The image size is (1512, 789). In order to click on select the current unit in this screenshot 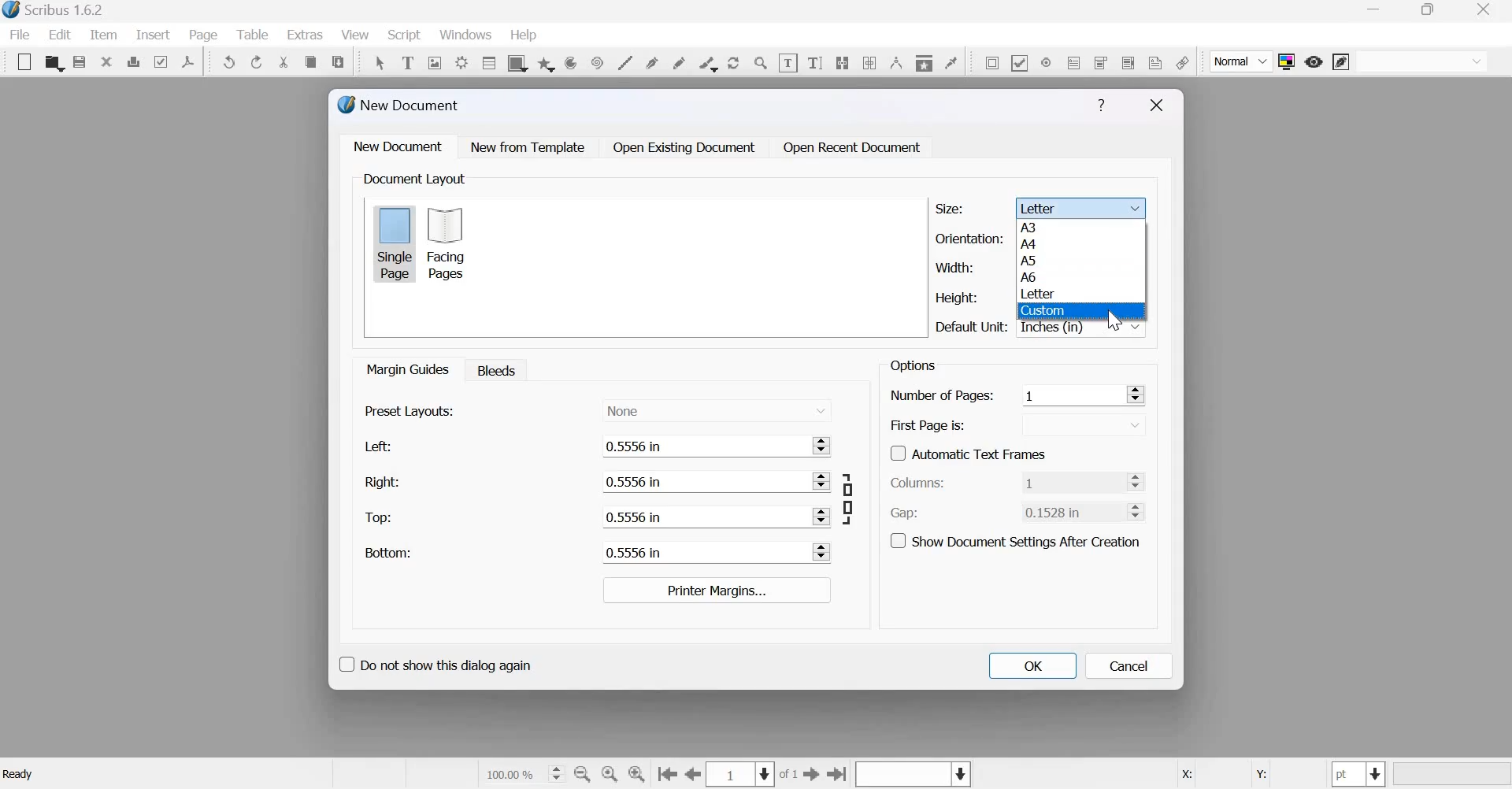, I will do `click(1359, 774)`.